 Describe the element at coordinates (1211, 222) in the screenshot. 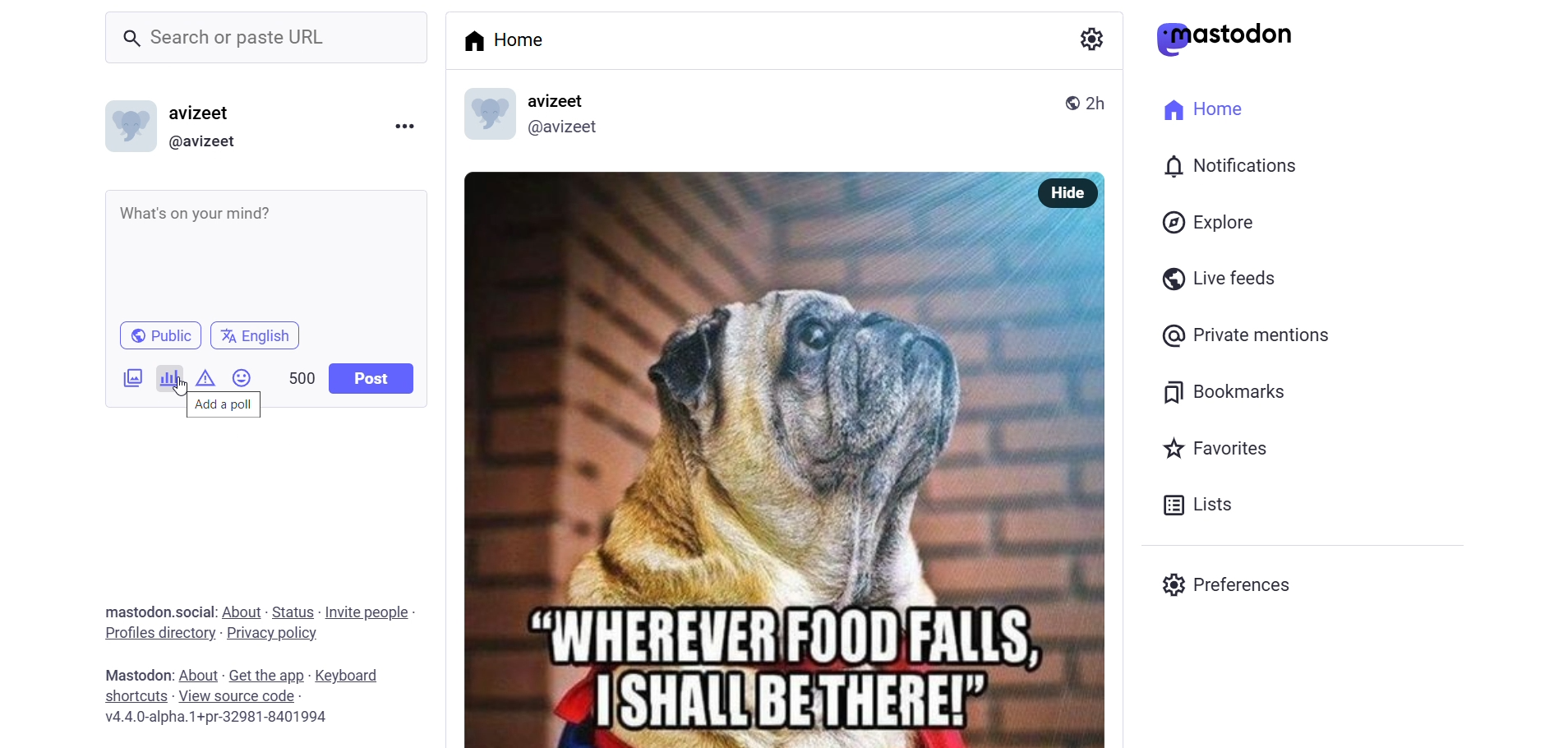

I see `explore` at that location.